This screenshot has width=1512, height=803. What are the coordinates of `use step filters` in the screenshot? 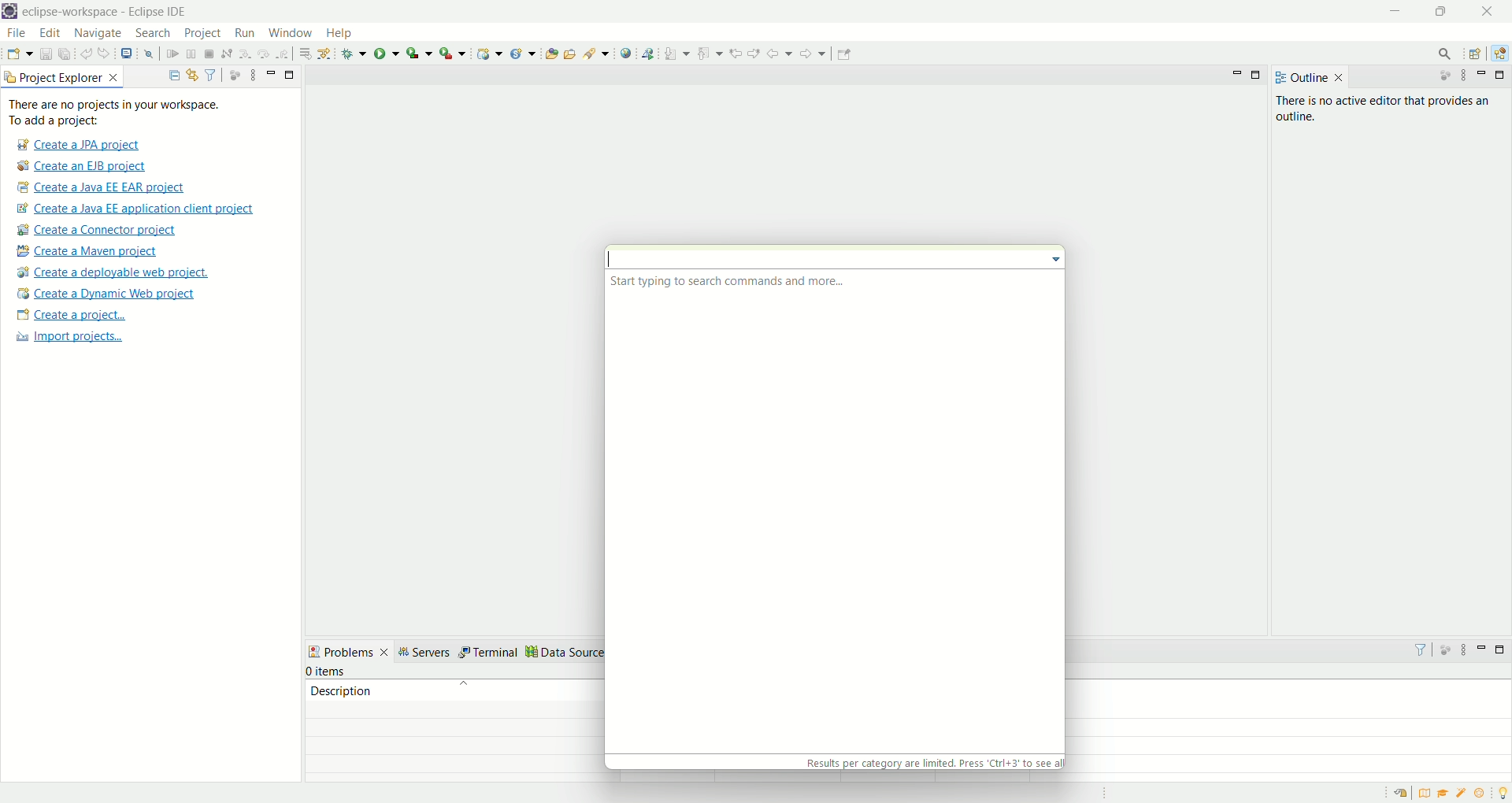 It's located at (324, 53).